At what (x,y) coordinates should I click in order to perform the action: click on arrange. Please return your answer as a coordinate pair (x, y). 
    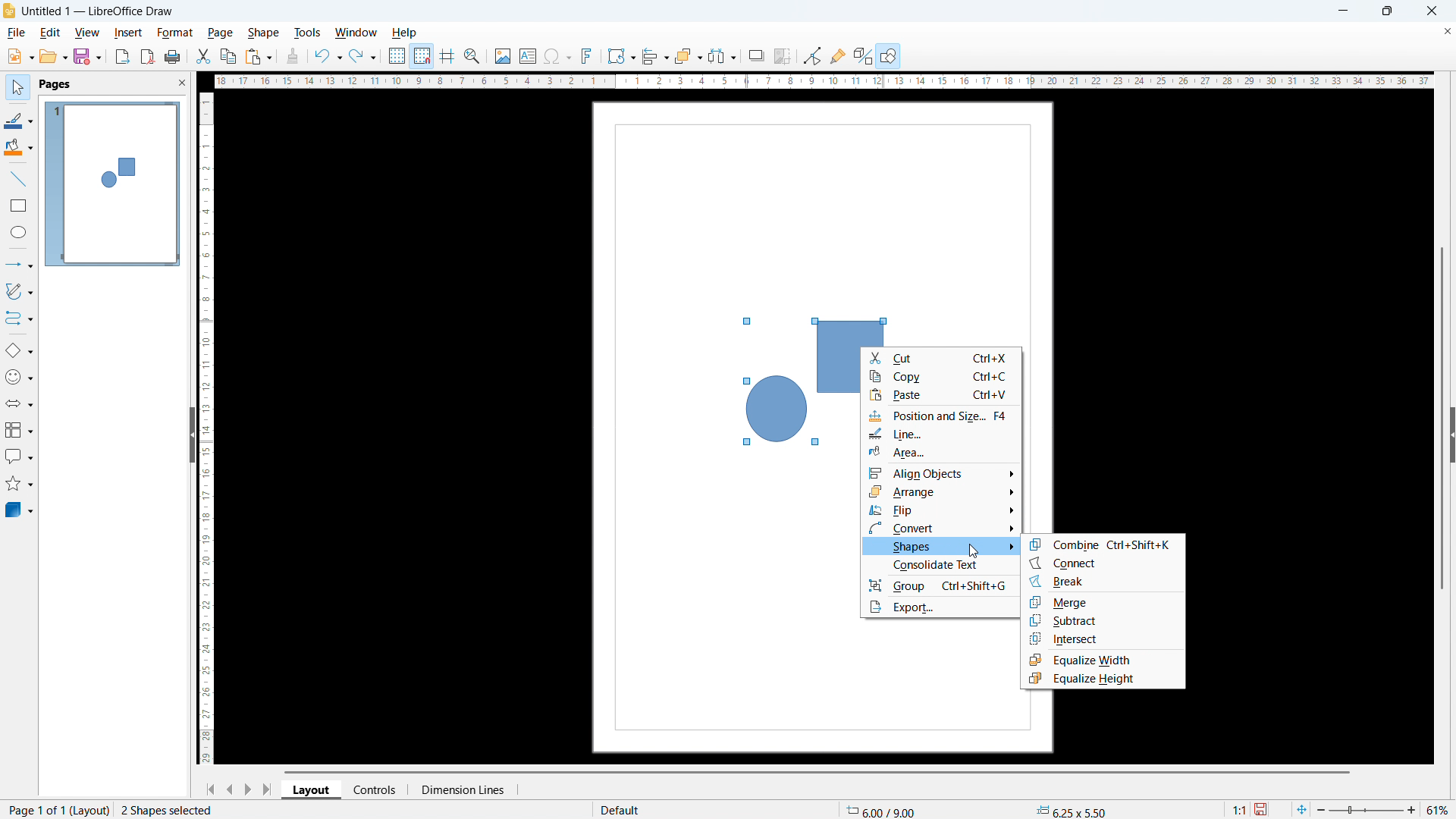
    Looking at the image, I should click on (942, 491).